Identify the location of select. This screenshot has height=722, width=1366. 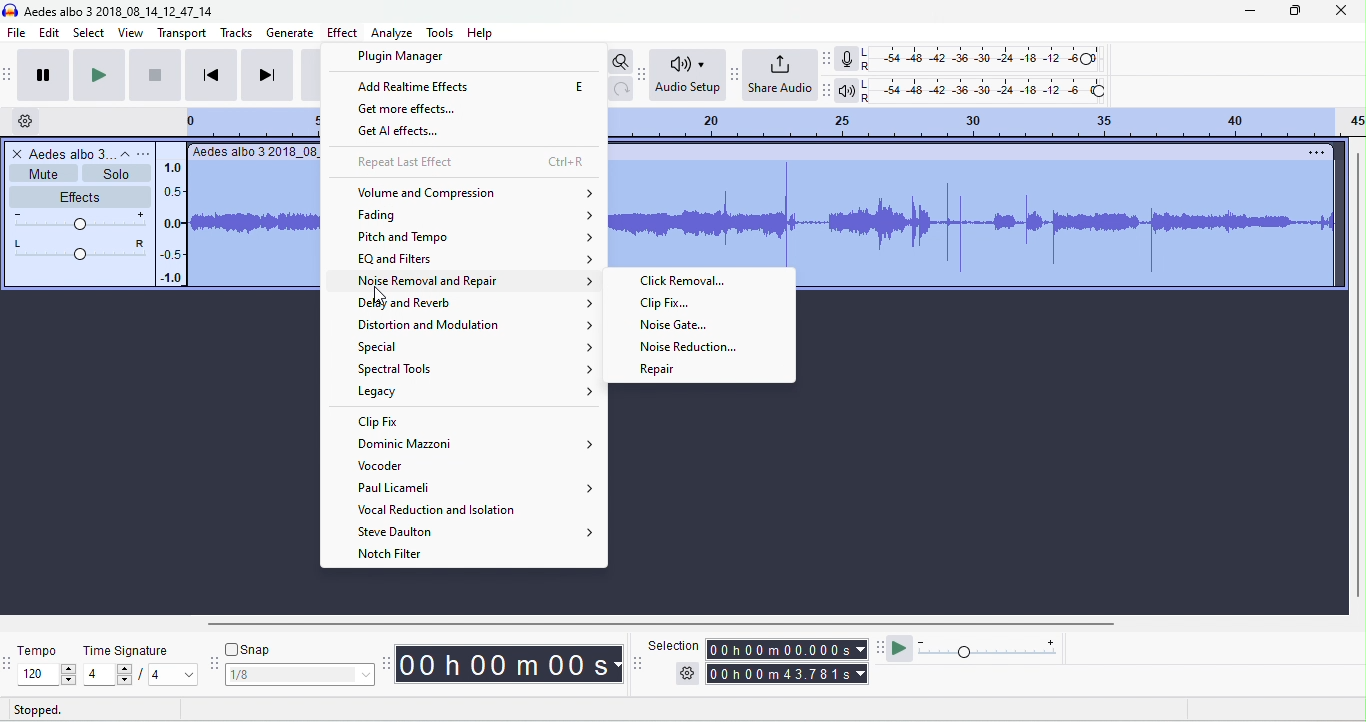
(90, 33).